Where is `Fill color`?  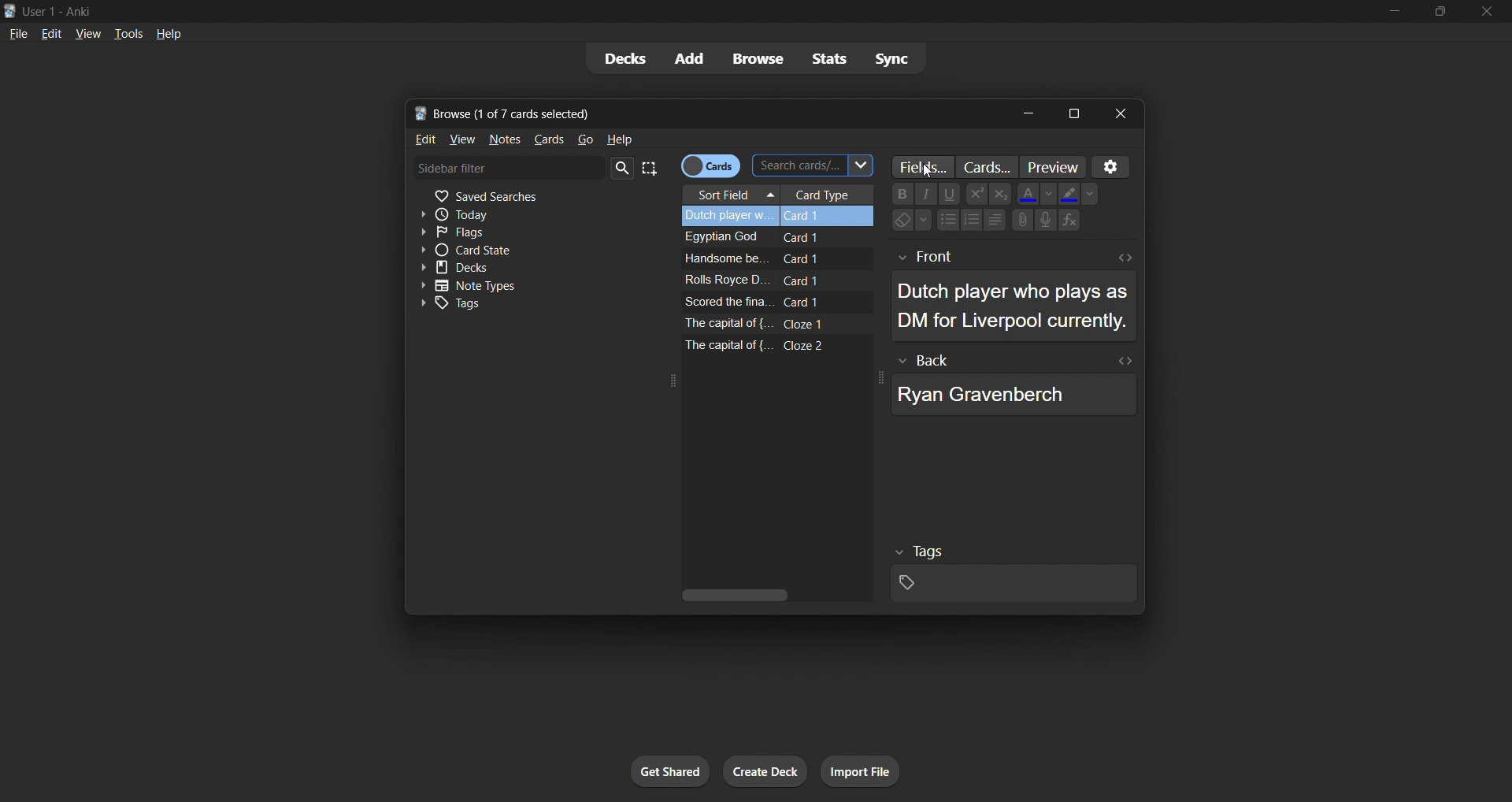 Fill color is located at coordinates (1067, 194).